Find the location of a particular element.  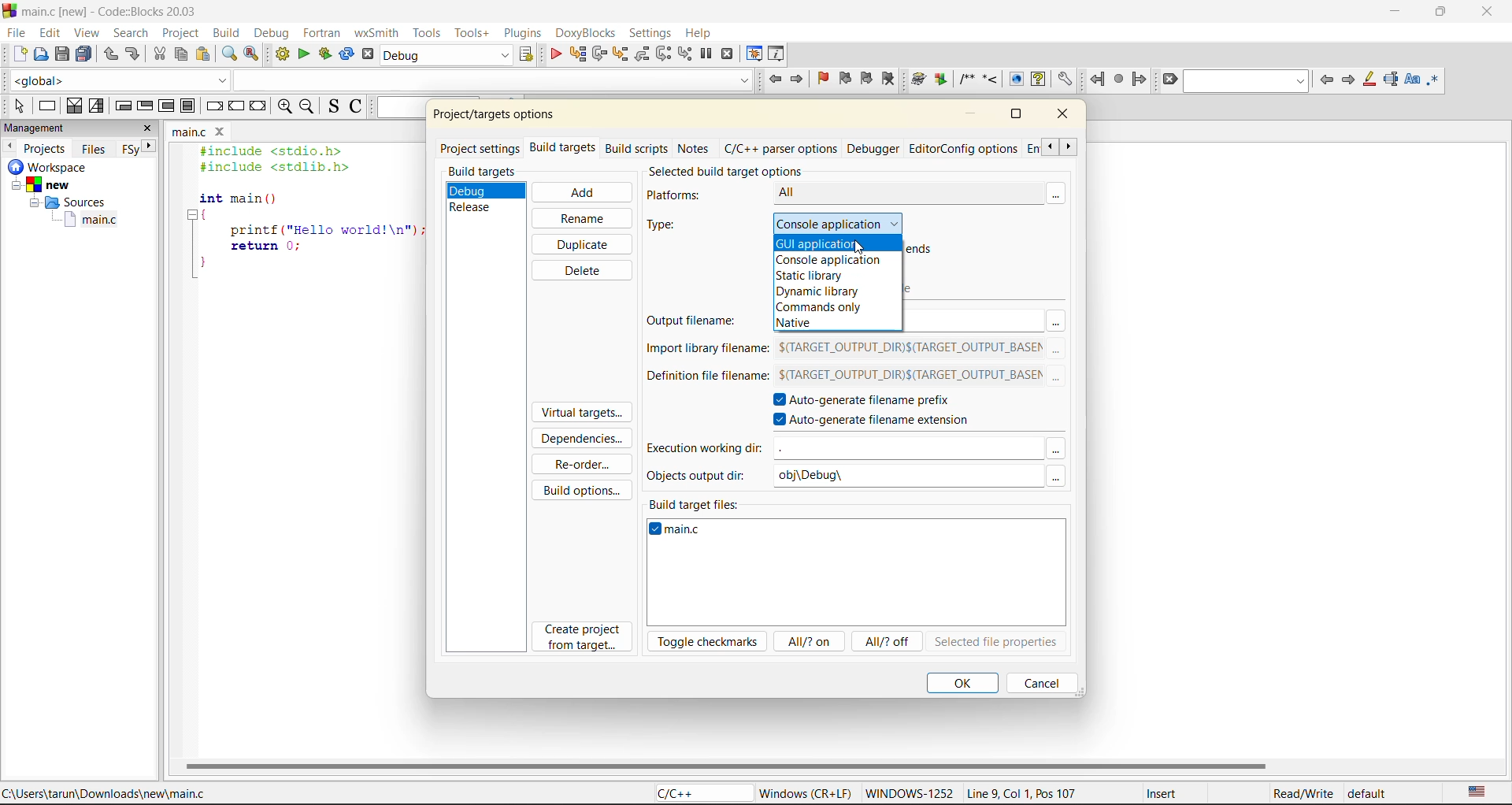

add is located at coordinates (584, 191).